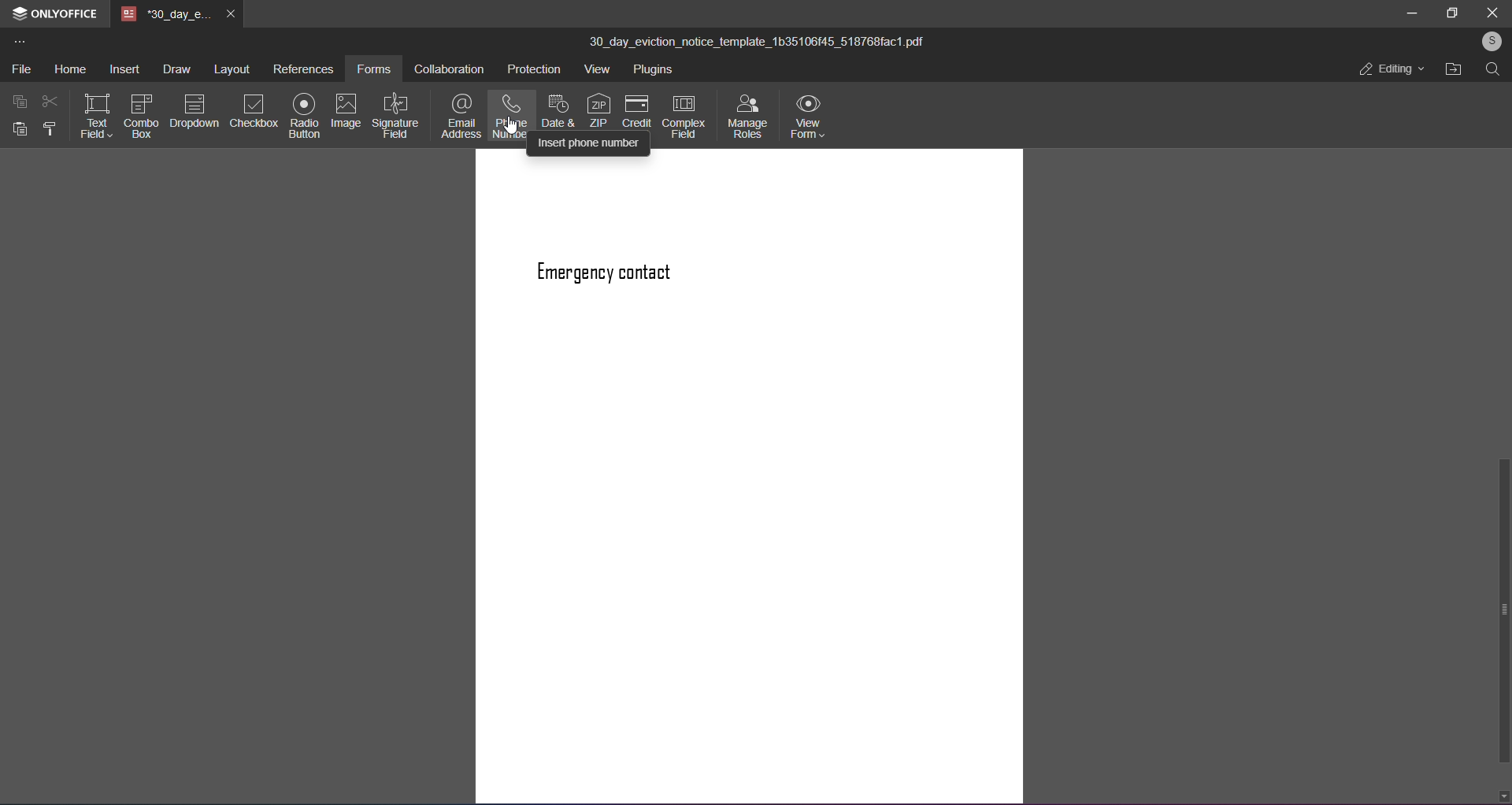  Describe the element at coordinates (1492, 72) in the screenshot. I see `search` at that location.